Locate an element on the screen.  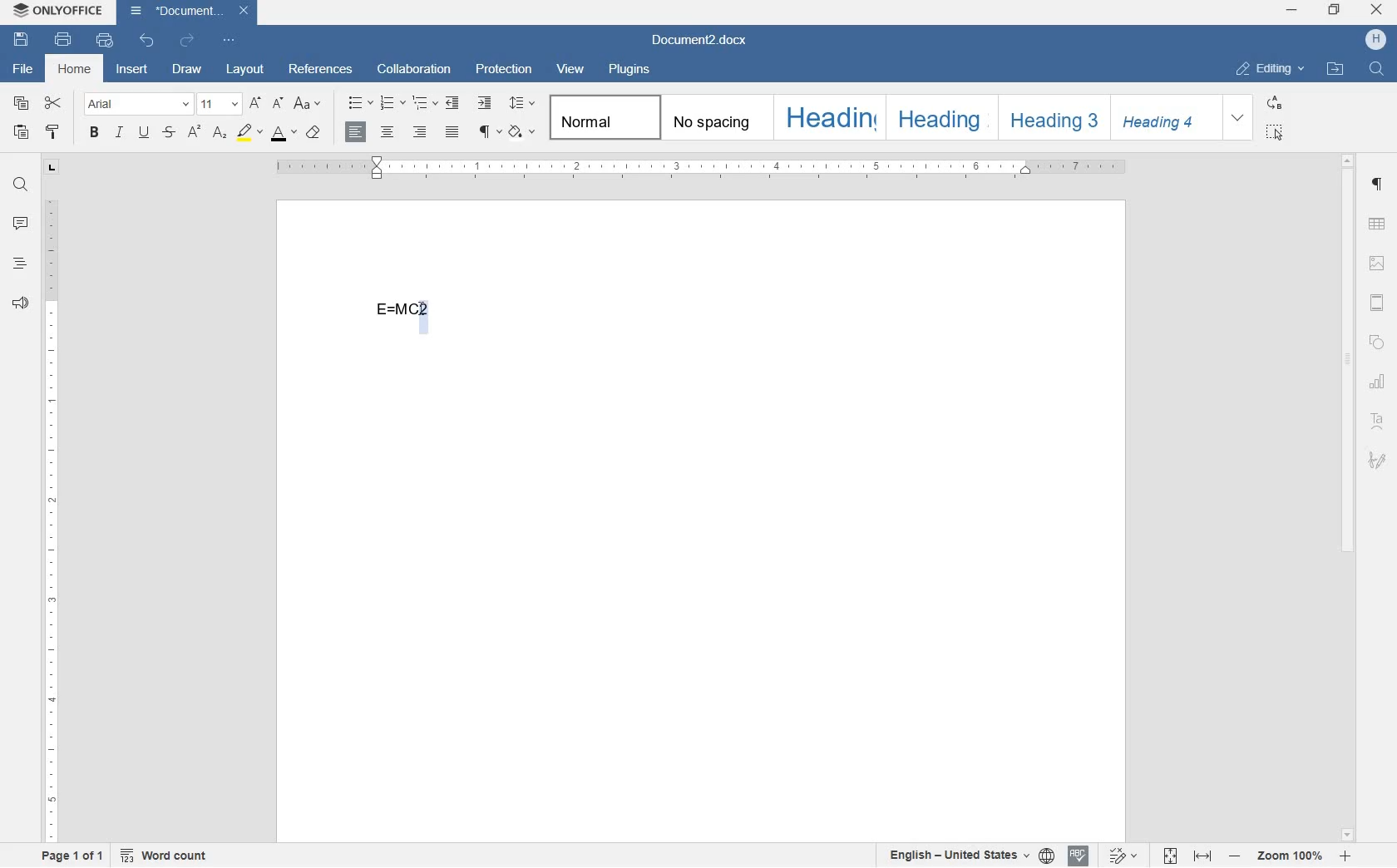
font color is located at coordinates (285, 133).